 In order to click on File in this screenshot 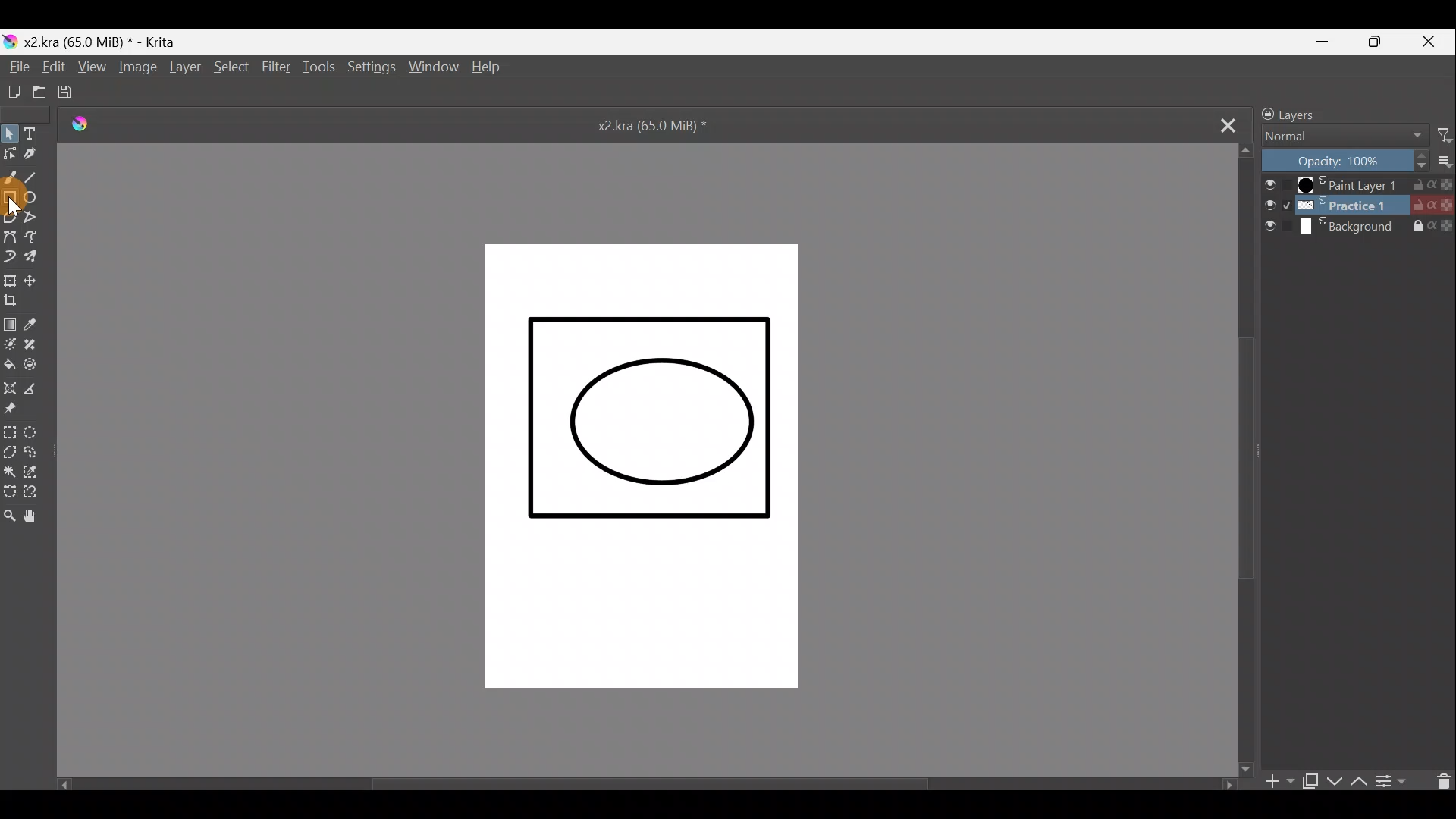, I will do `click(15, 65)`.